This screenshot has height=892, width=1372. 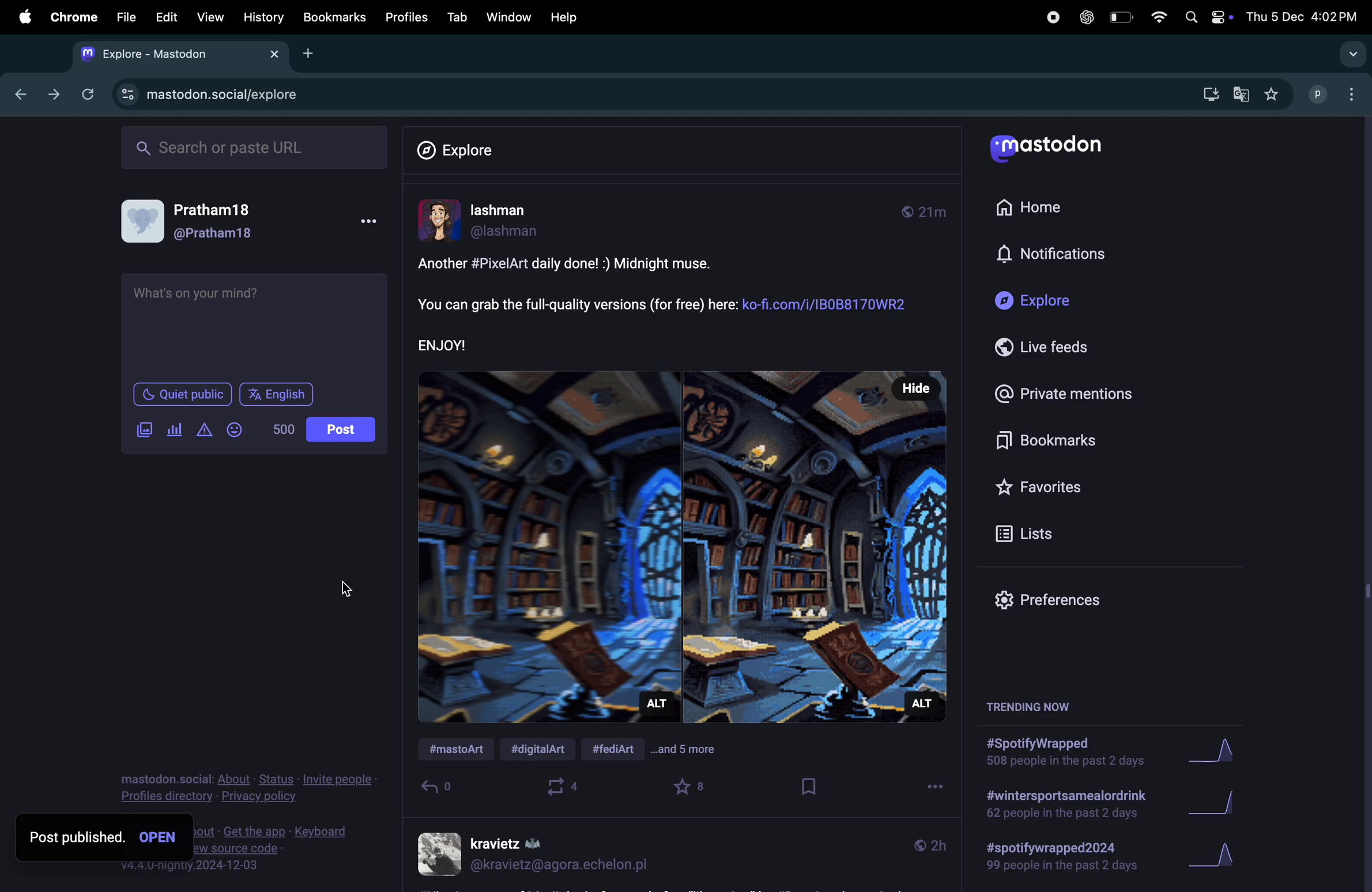 I want to click on spotify wrapped, so click(x=1069, y=861).